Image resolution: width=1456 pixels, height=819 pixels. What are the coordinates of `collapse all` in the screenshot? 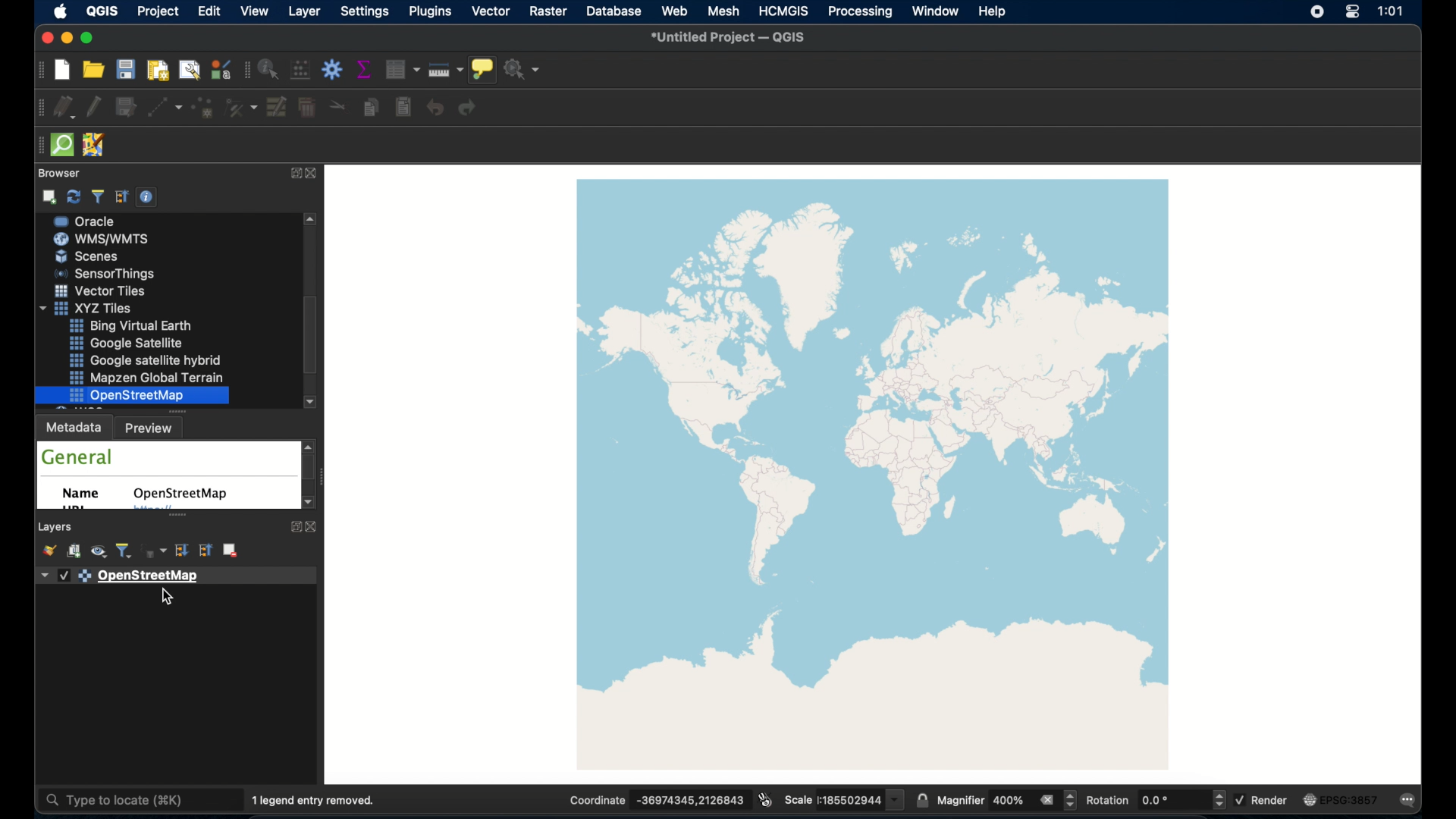 It's located at (122, 197).